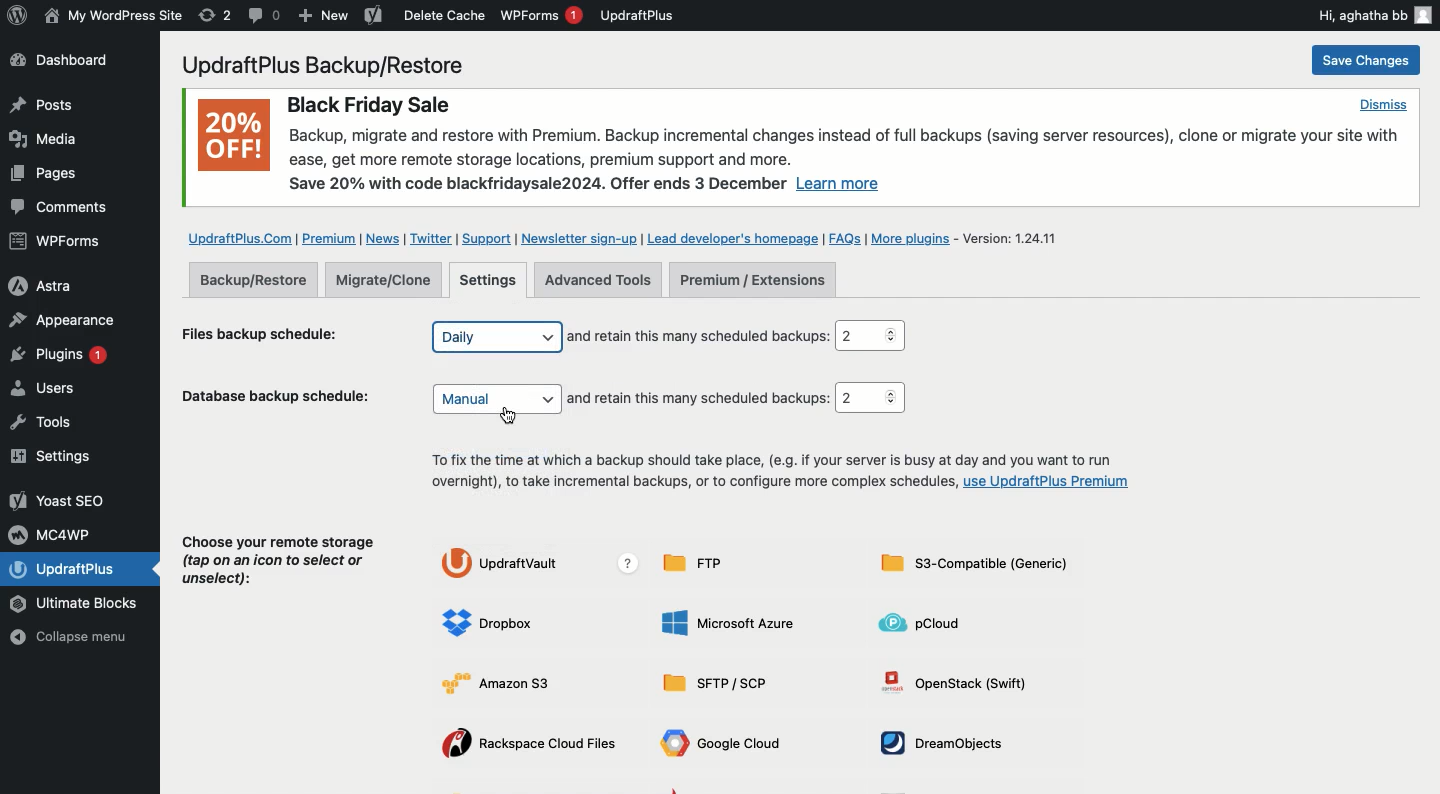  What do you see at coordinates (726, 746) in the screenshot?
I see `Google cloud` at bounding box center [726, 746].